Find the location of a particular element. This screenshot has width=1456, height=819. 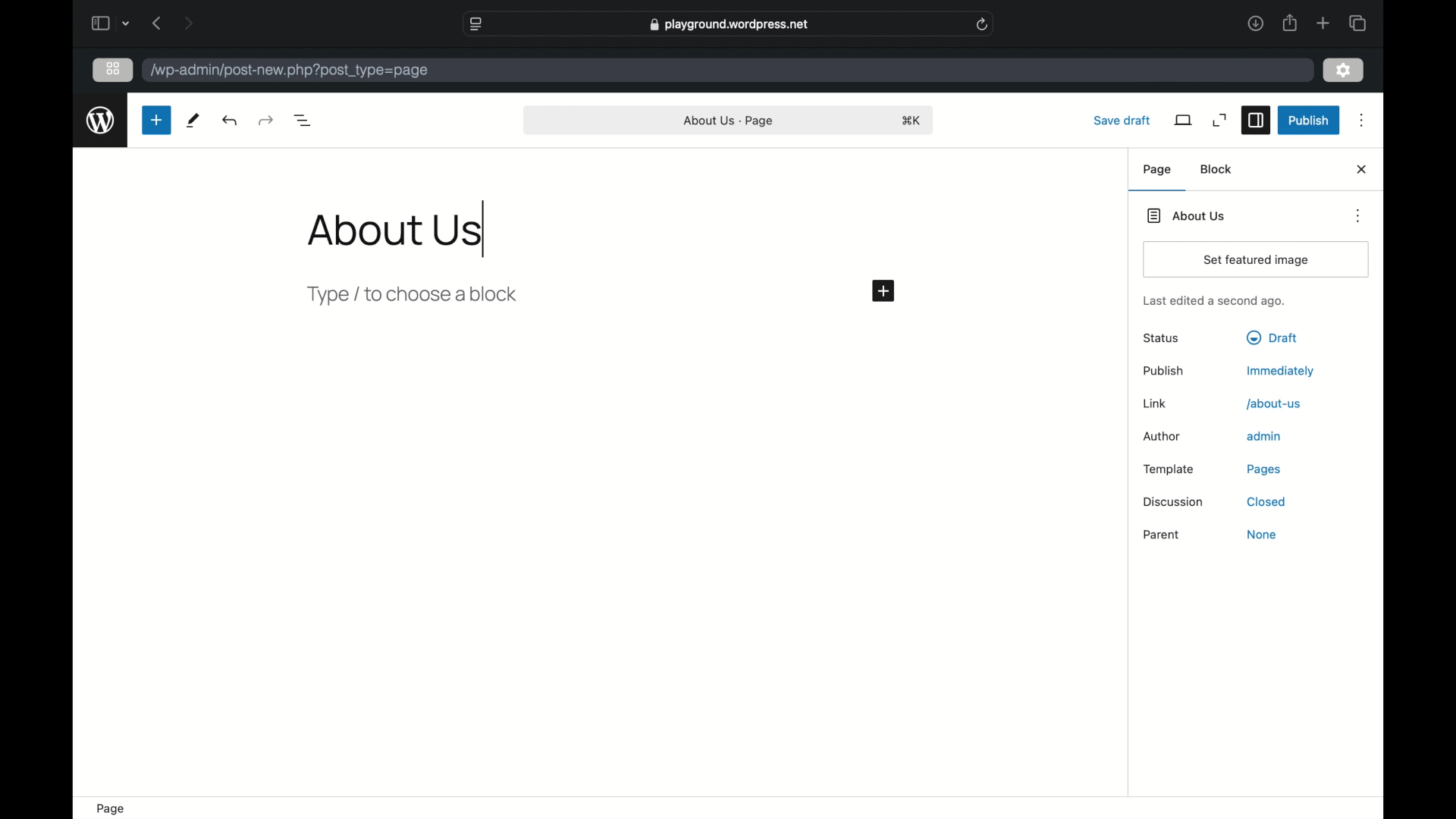

add is located at coordinates (885, 292).